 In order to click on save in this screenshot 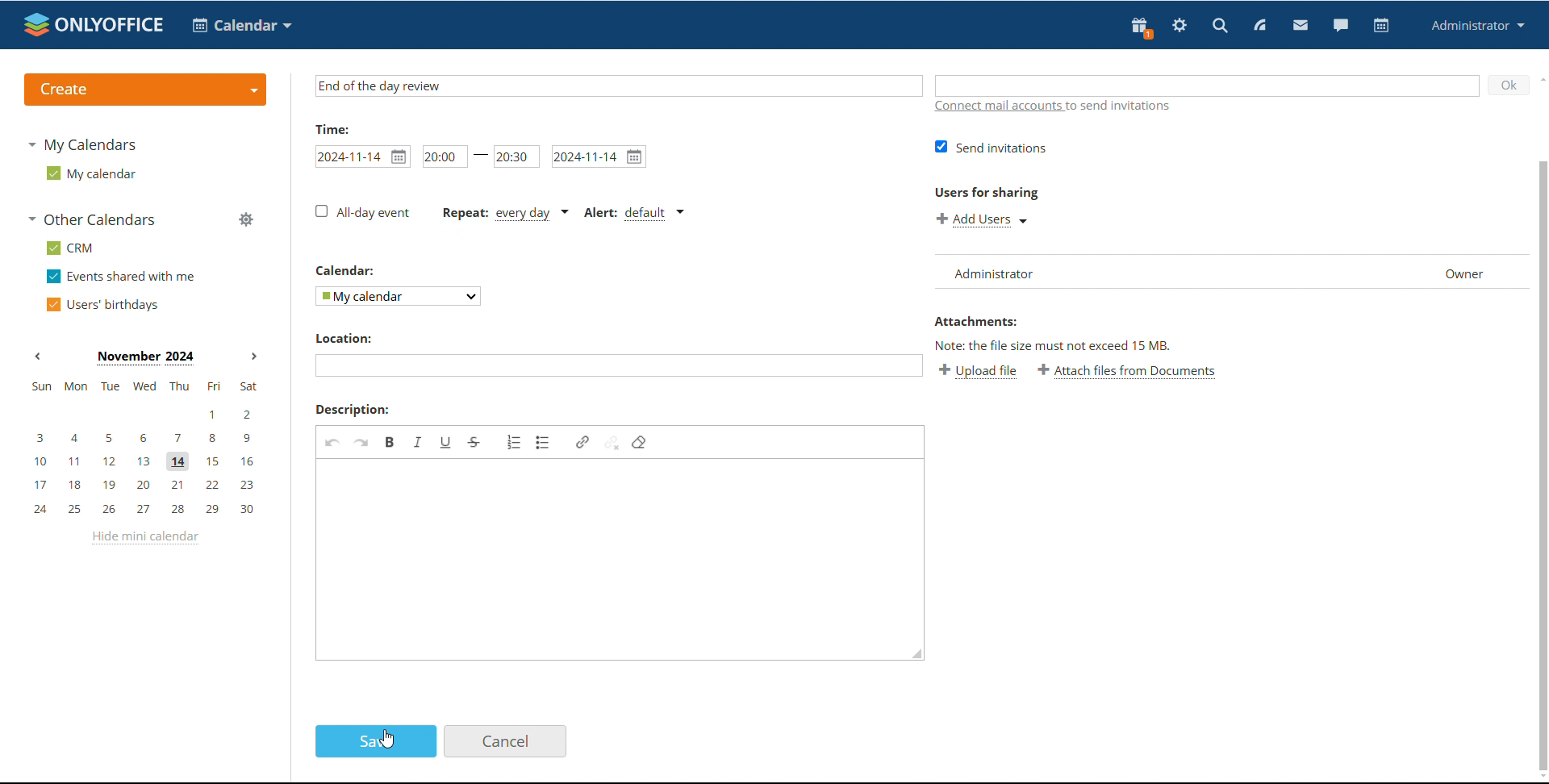, I will do `click(375, 740)`.